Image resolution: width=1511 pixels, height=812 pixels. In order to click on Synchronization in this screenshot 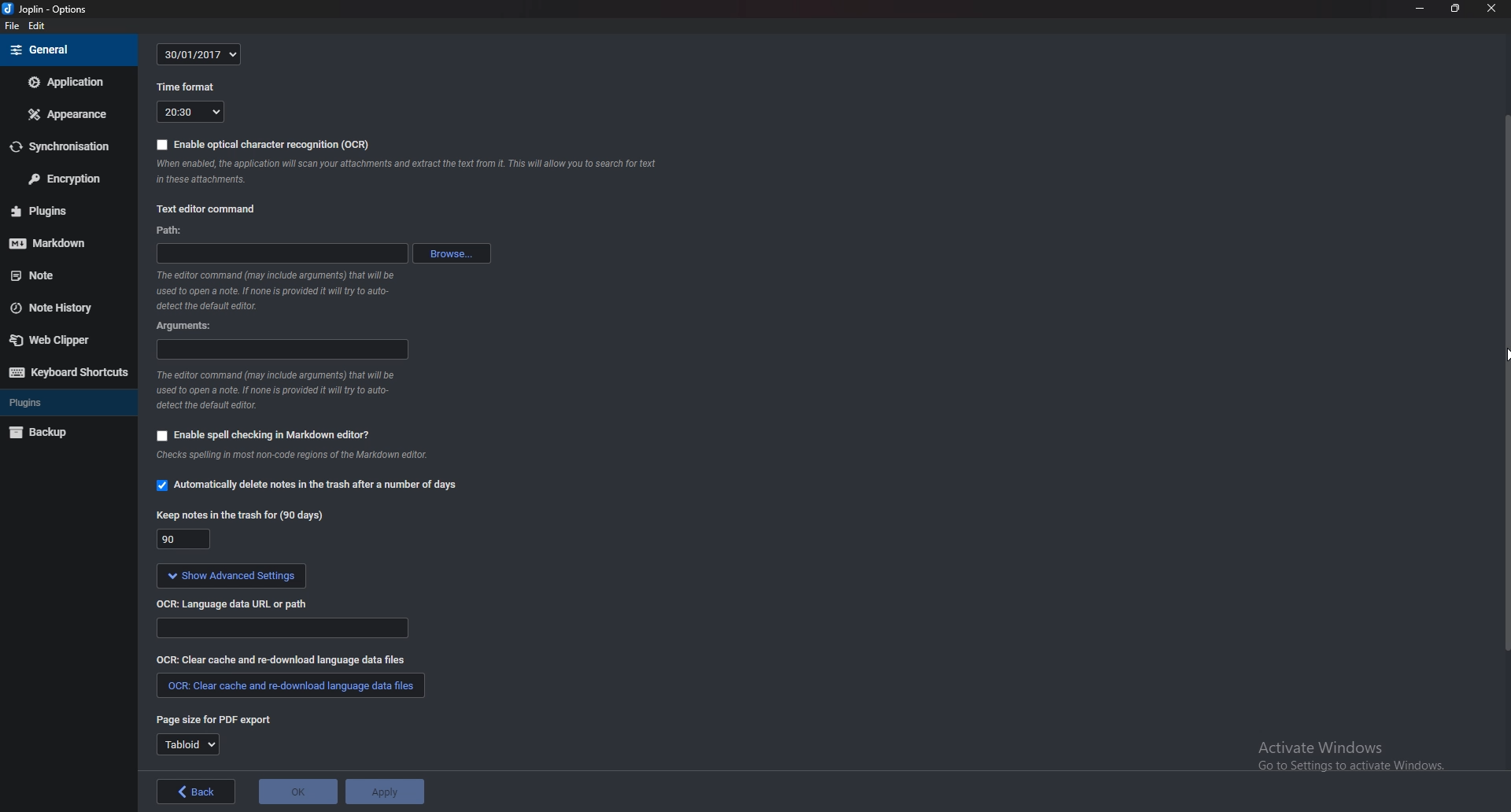, I will do `click(65, 146)`.